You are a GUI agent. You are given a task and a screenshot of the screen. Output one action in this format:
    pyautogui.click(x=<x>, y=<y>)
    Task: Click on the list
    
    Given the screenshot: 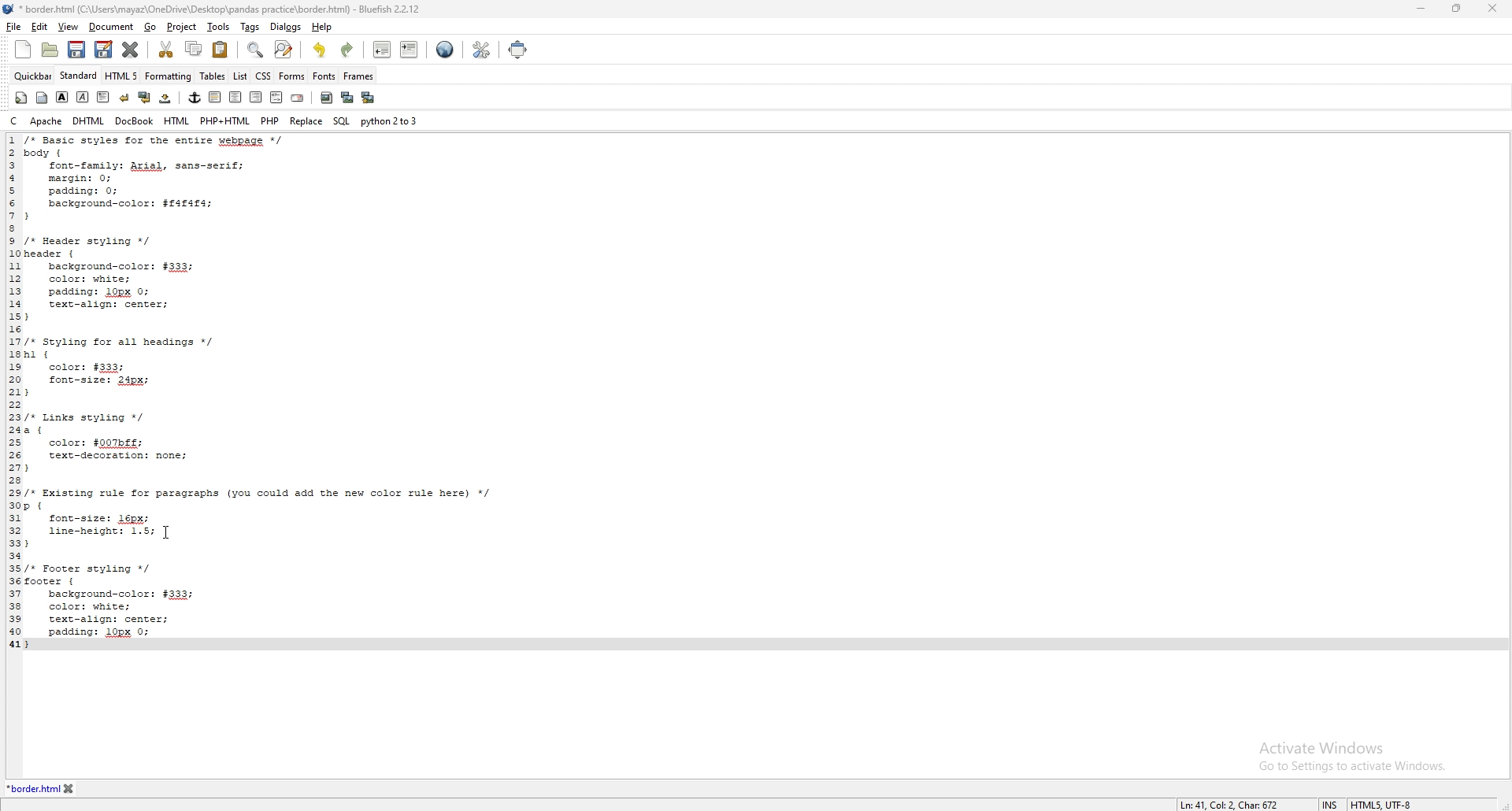 What is the action you would take?
    pyautogui.click(x=242, y=76)
    